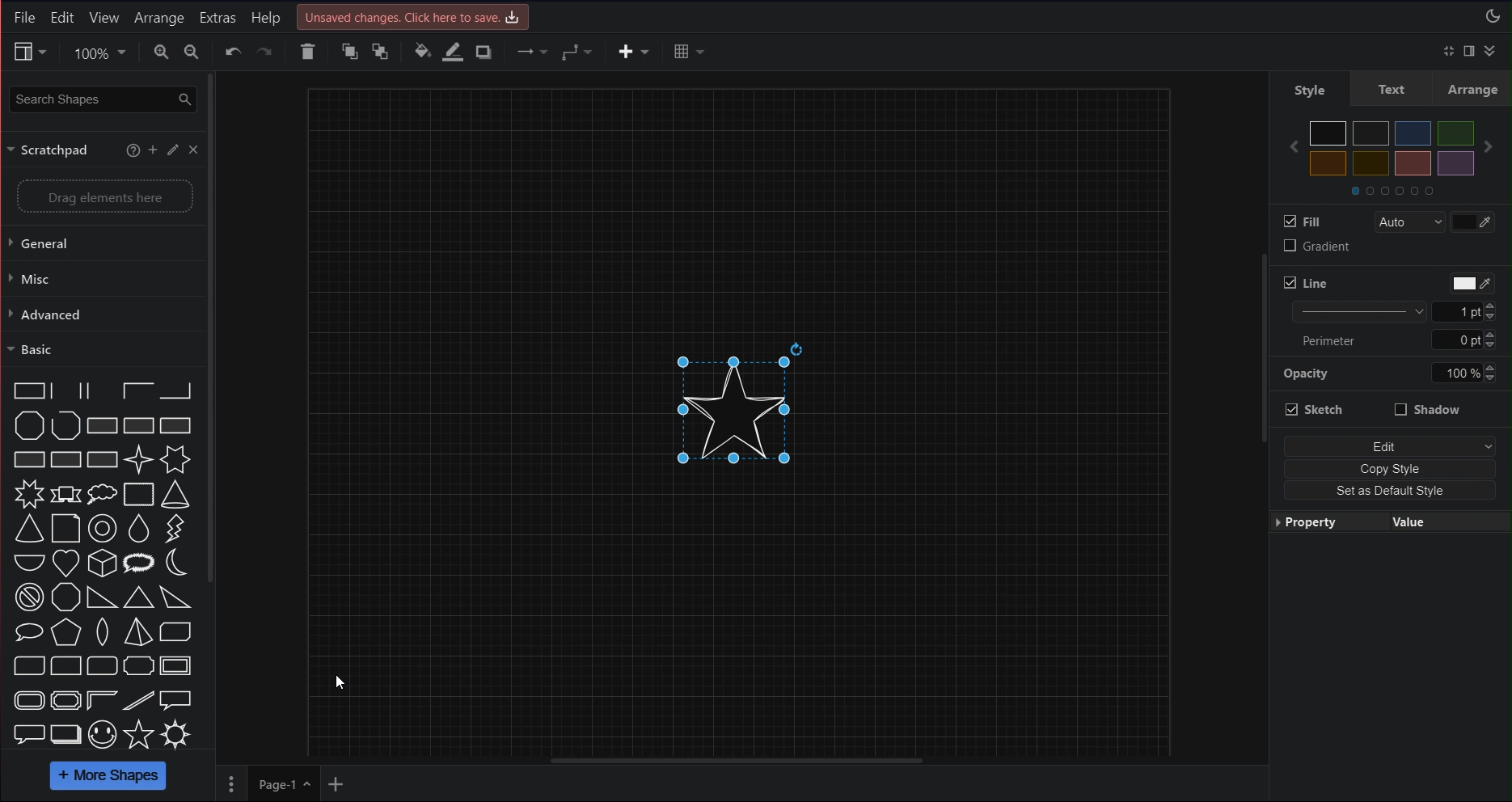 Image resolution: width=1512 pixels, height=802 pixels. I want to click on plaque, so click(138, 665).